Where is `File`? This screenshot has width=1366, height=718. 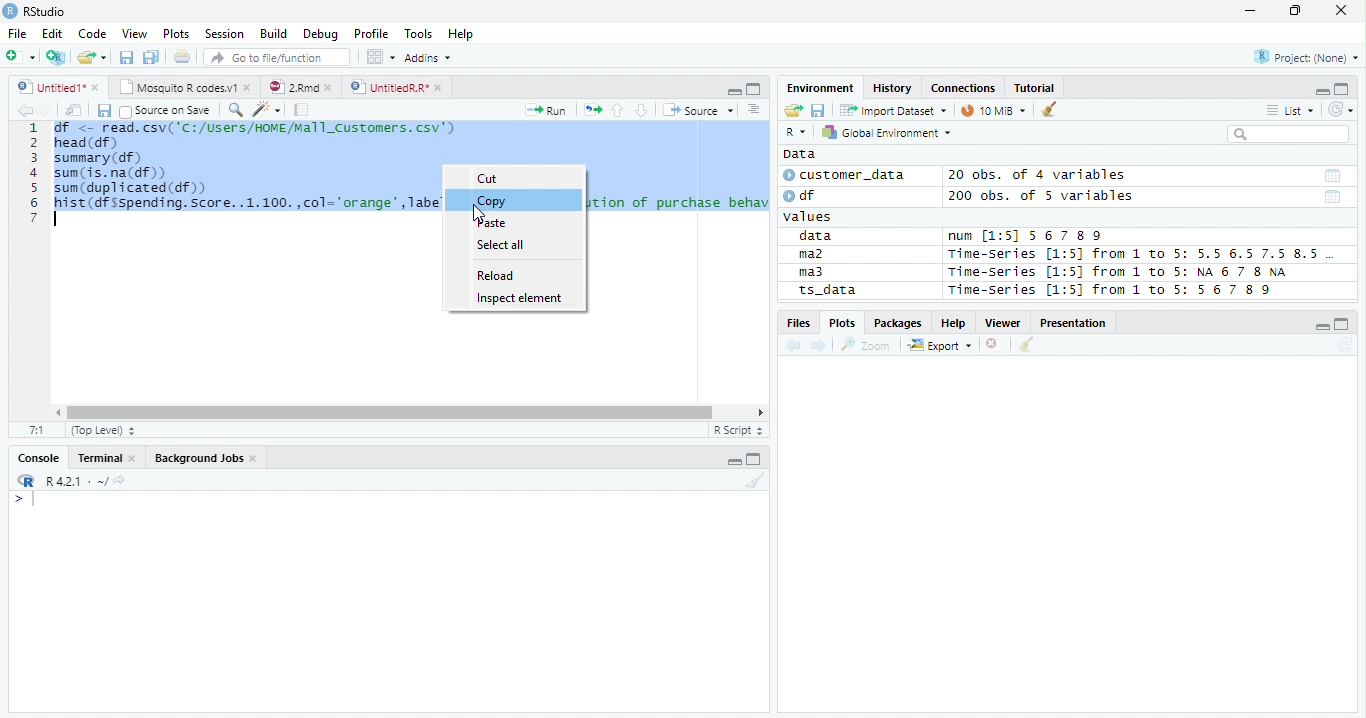
File is located at coordinates (16, 33).